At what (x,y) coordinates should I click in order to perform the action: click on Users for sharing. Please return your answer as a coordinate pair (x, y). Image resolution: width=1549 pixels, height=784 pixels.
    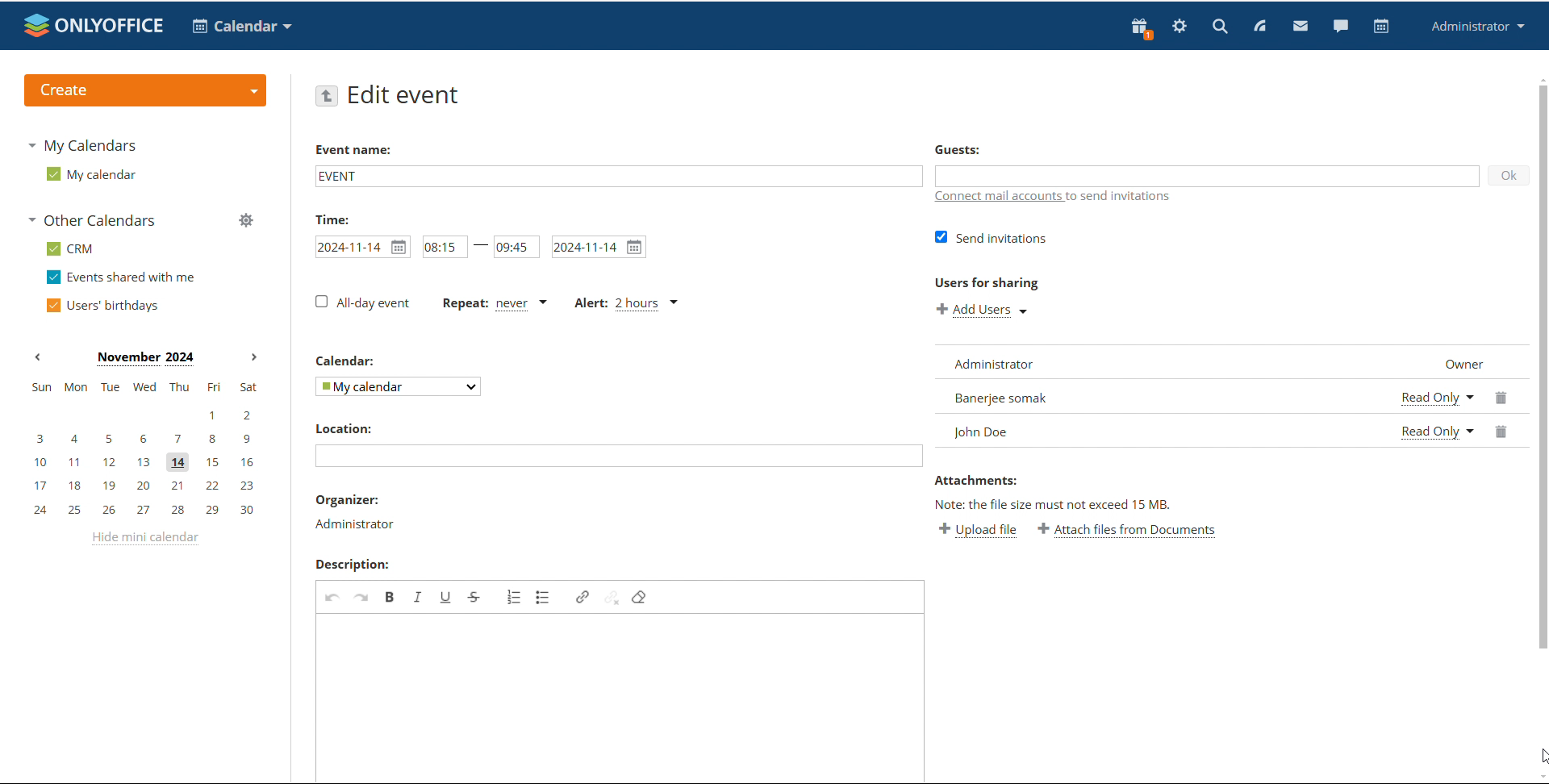
    Looking at the image, I should click on (987, 283).